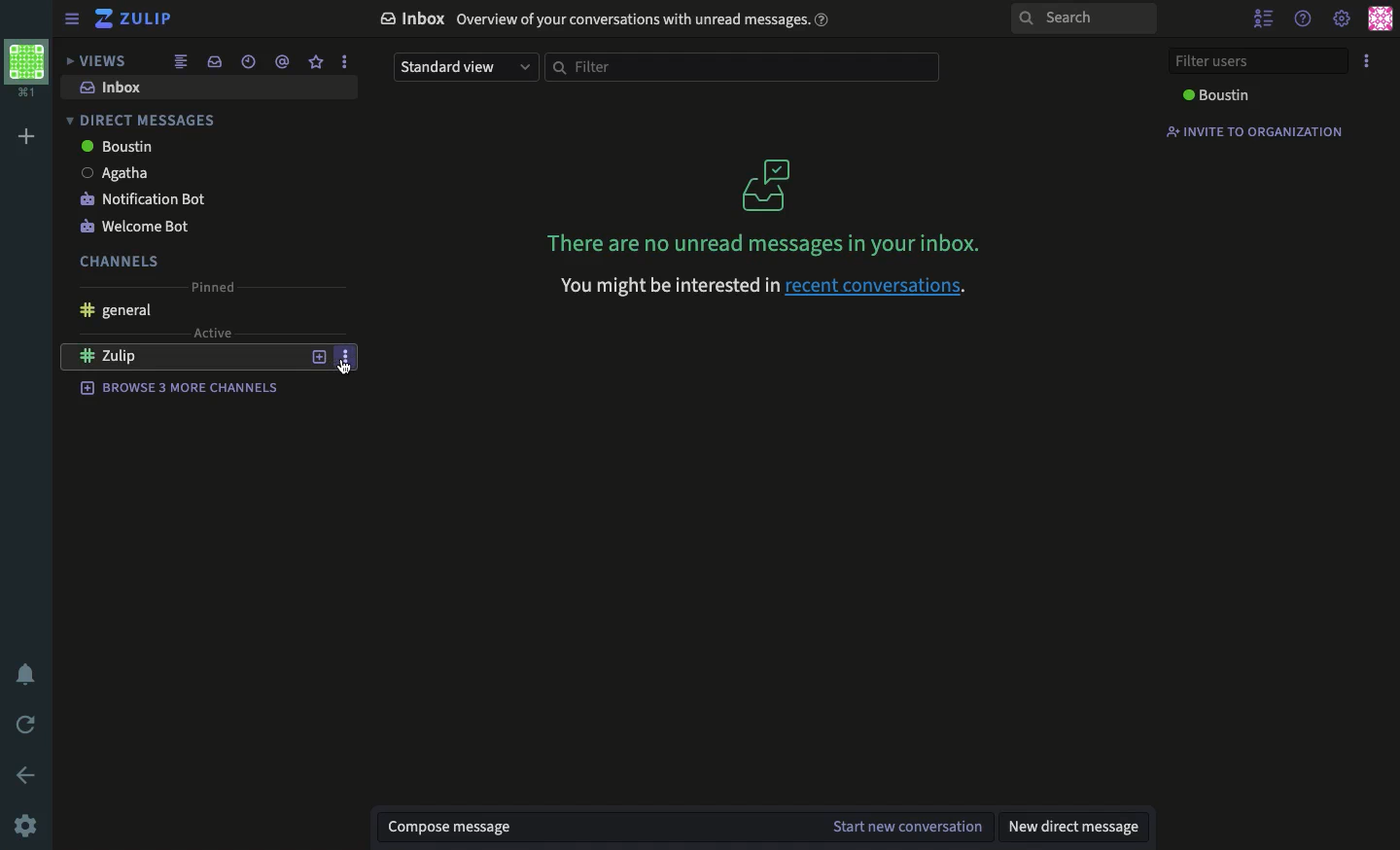 The image size is (1400, 850). I want to click on channels, so click(121, 263).